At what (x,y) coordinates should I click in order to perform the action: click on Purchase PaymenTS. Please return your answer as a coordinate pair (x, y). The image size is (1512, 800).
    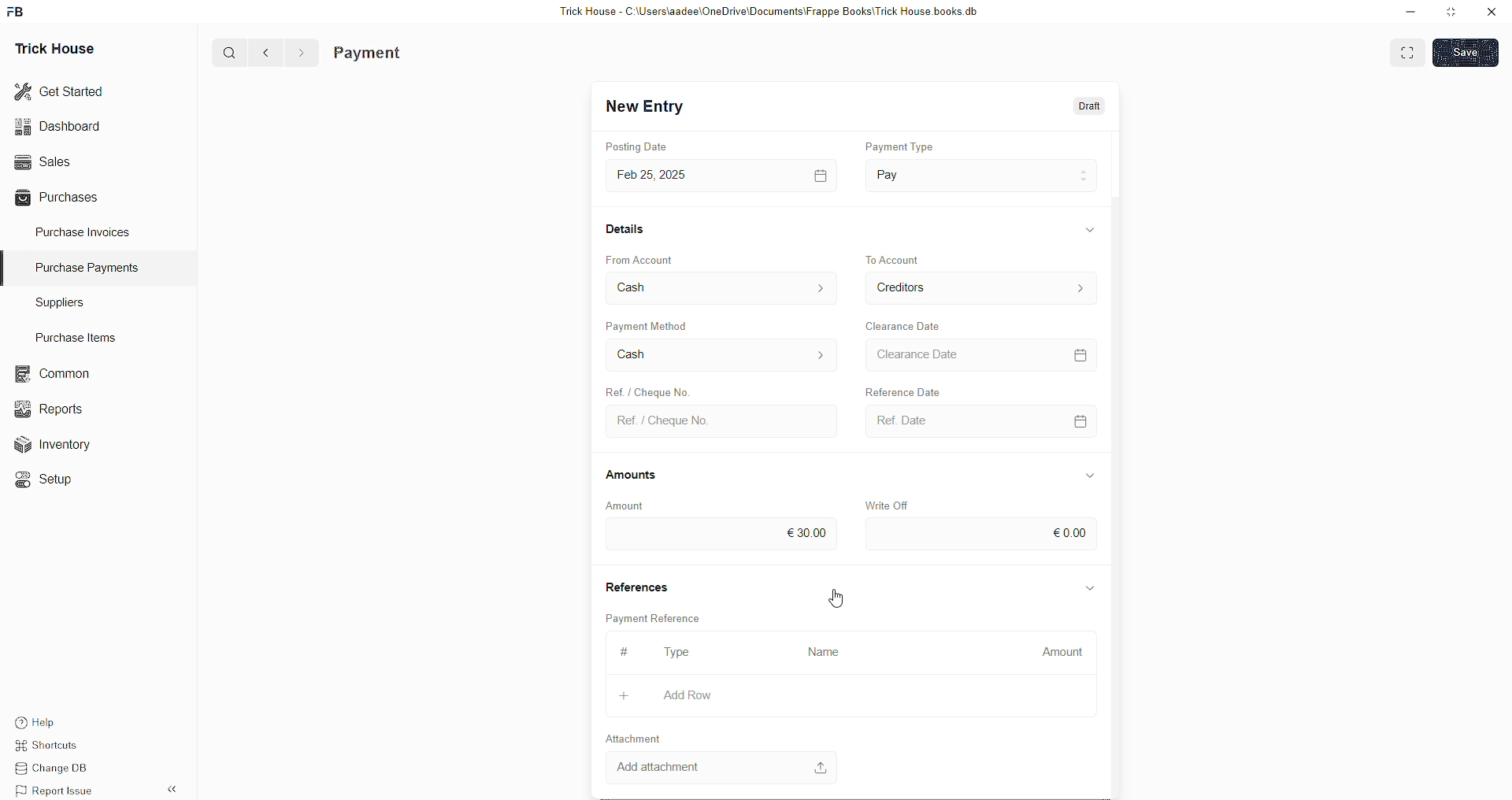
    Looking at the image, I should click on (83, 268).